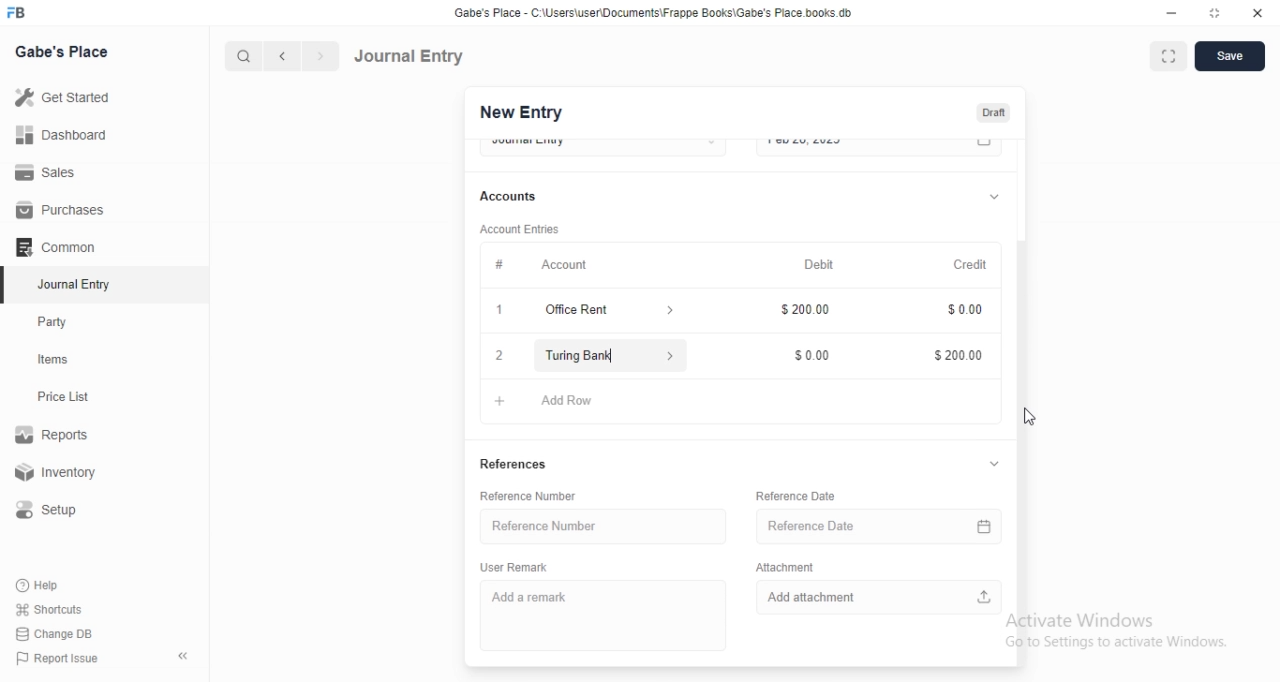  Describe the element at coordinates (801, 567) in the screenshot. I see `‘Attachment` at that location.